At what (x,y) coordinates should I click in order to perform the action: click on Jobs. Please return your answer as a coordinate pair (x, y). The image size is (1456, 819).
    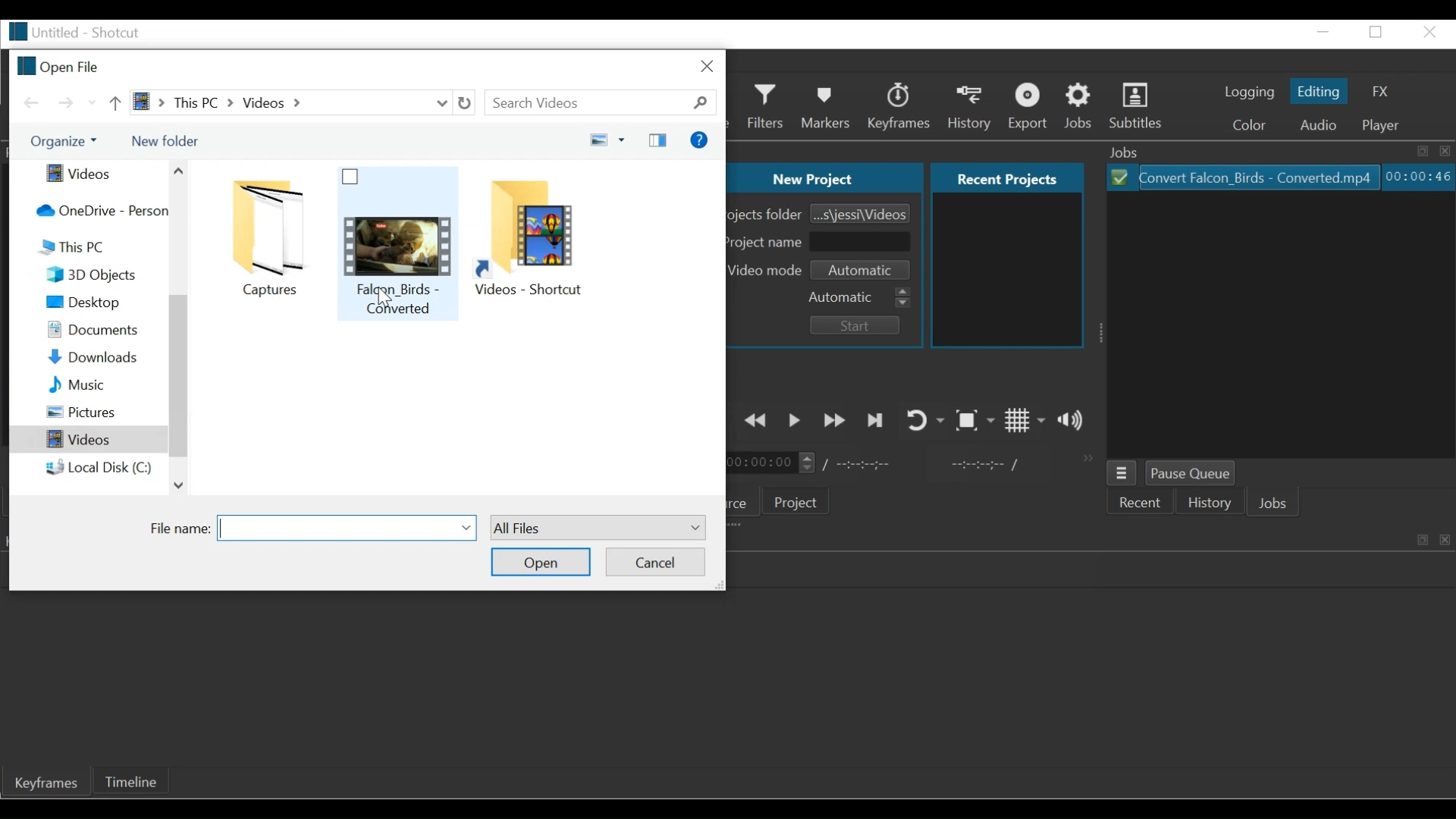
    Looking at the image, I should click on (1275, 502).